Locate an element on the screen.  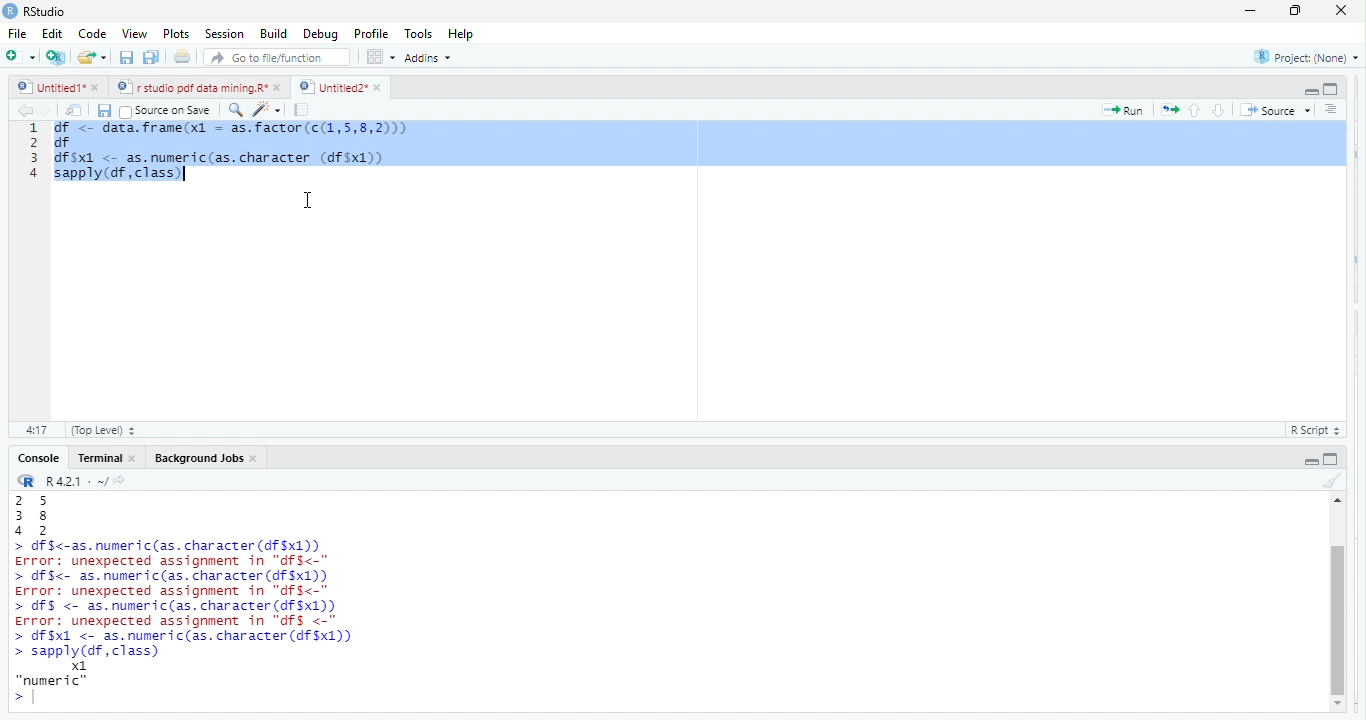
code tools is located at coordinates (270, 110).